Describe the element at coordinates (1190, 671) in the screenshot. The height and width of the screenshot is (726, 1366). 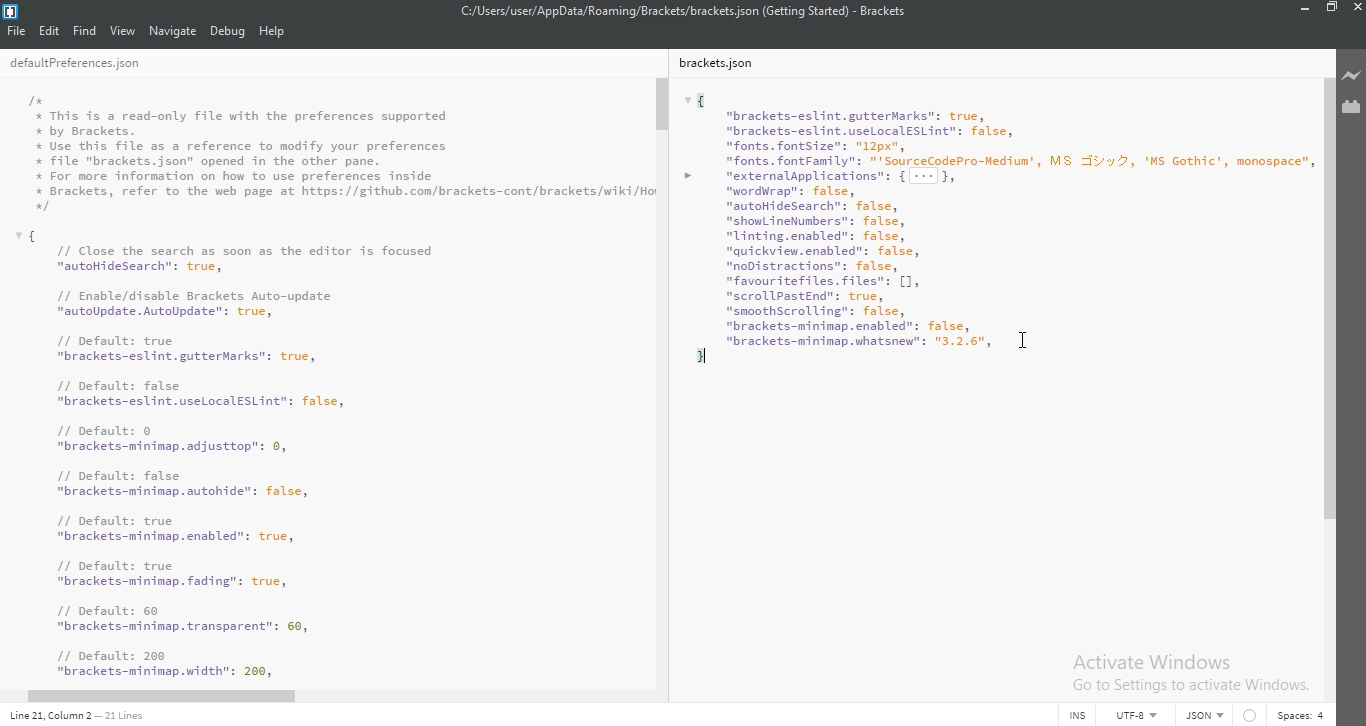
I see `Activate Windows
Go to Settings to activate Windows.` at that location.